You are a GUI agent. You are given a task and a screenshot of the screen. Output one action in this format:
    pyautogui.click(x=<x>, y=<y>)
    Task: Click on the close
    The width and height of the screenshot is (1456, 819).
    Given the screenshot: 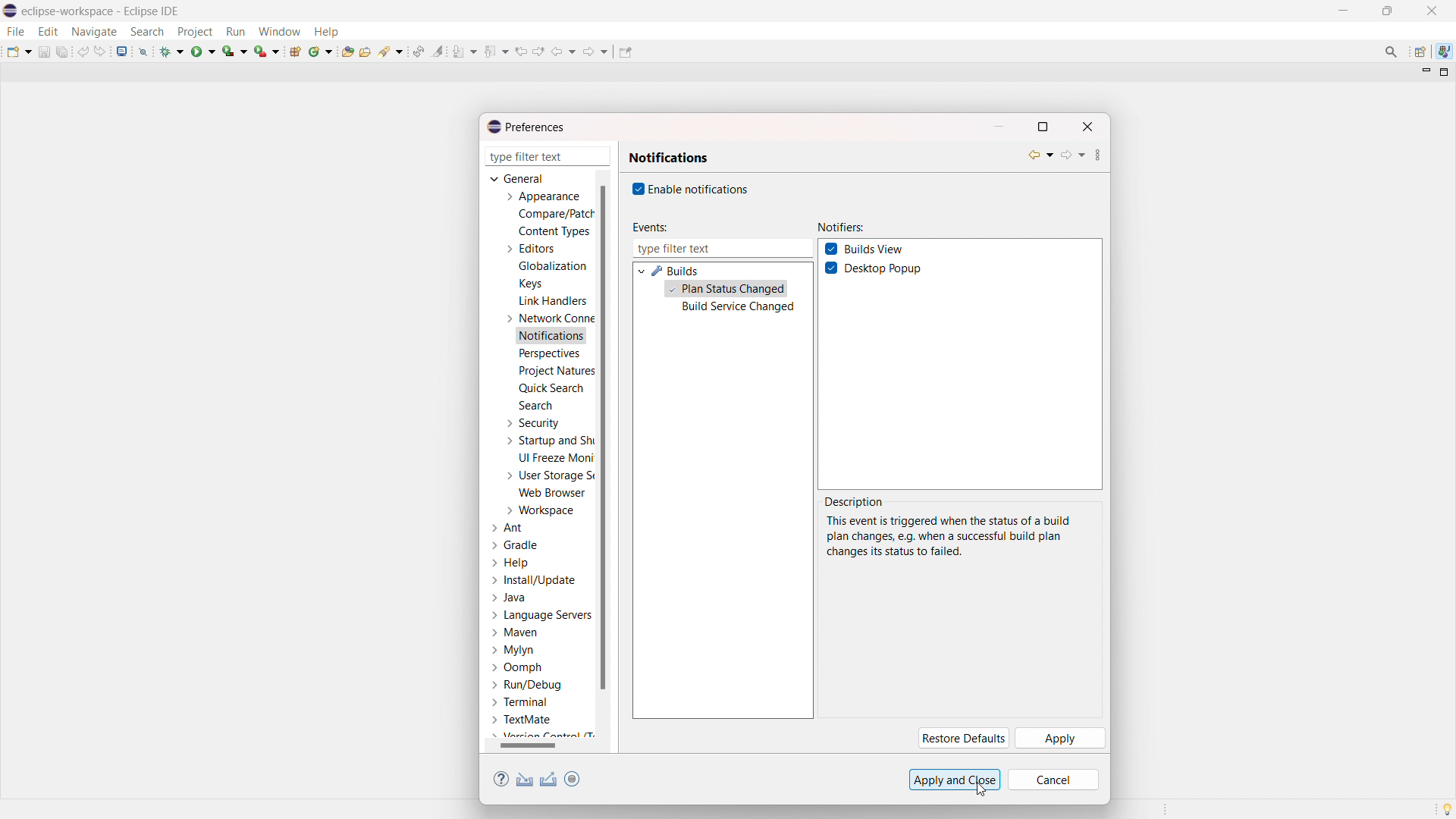 What is the action you would take?
    pyautogui.click(x=1432, y=11)
    